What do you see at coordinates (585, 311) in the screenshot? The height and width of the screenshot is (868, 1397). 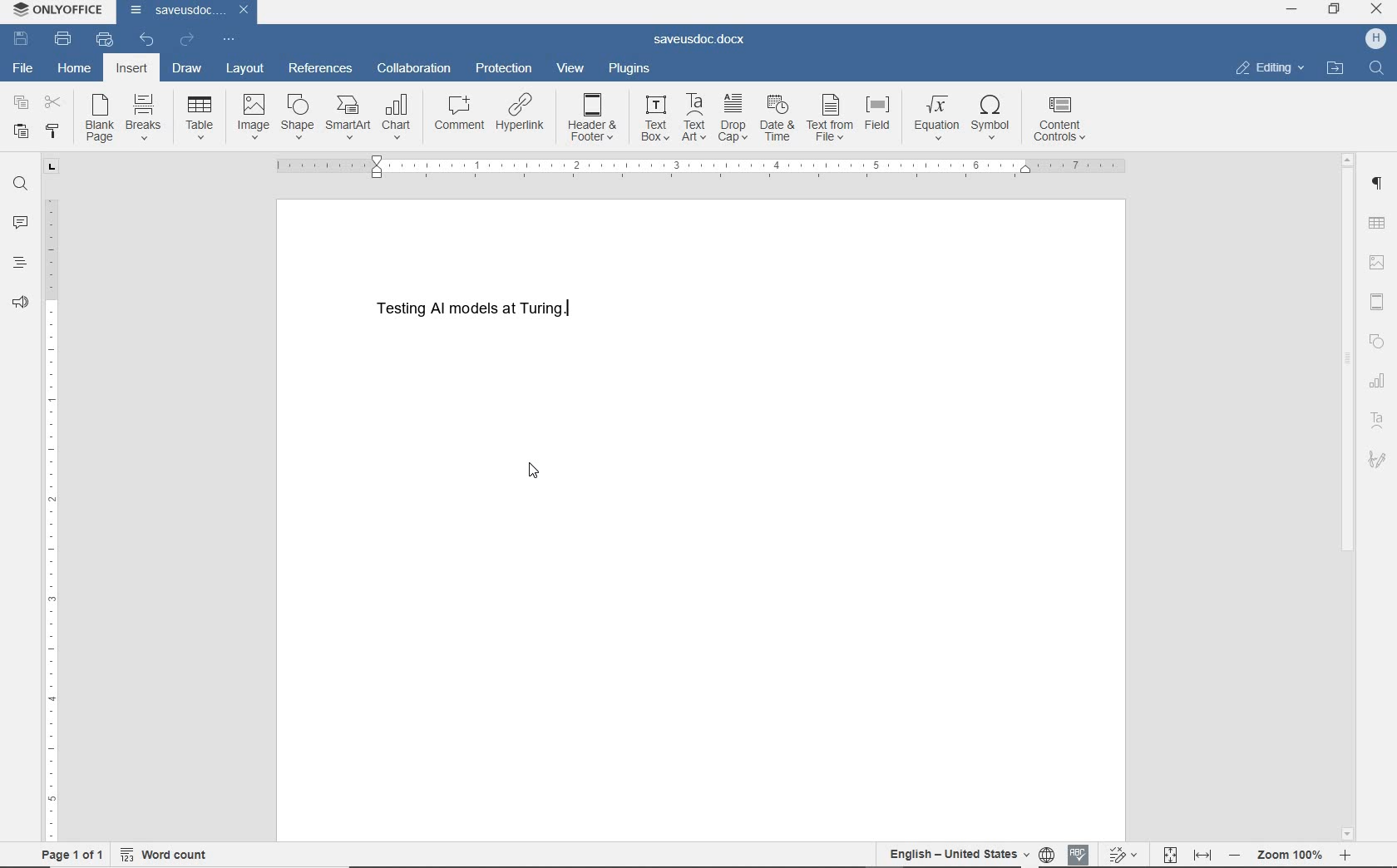 I see `Text cursor` at bounding box center [585, 311].